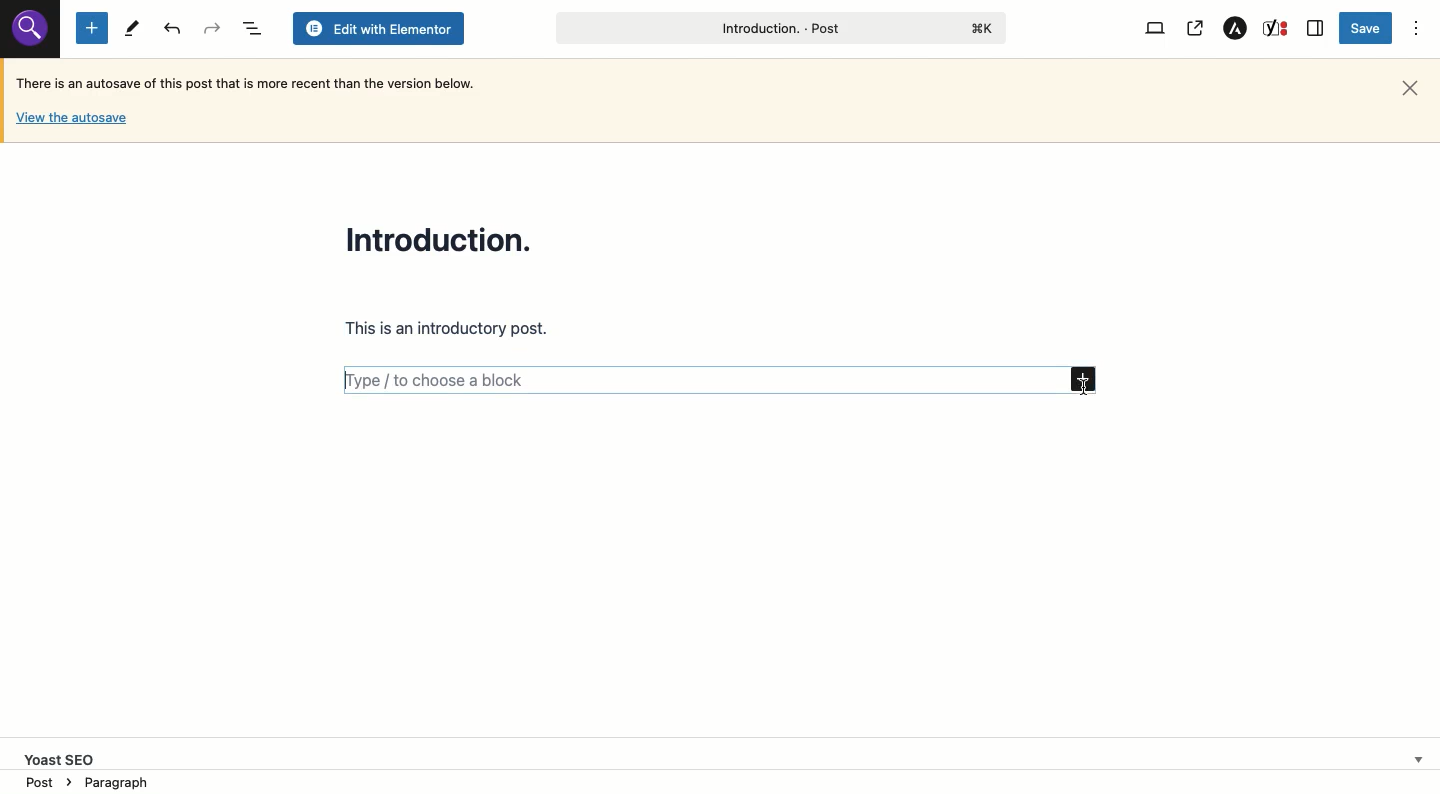  Describe the element at coordinates (1417, 29) in the screenshot. I see `Options` at that location.